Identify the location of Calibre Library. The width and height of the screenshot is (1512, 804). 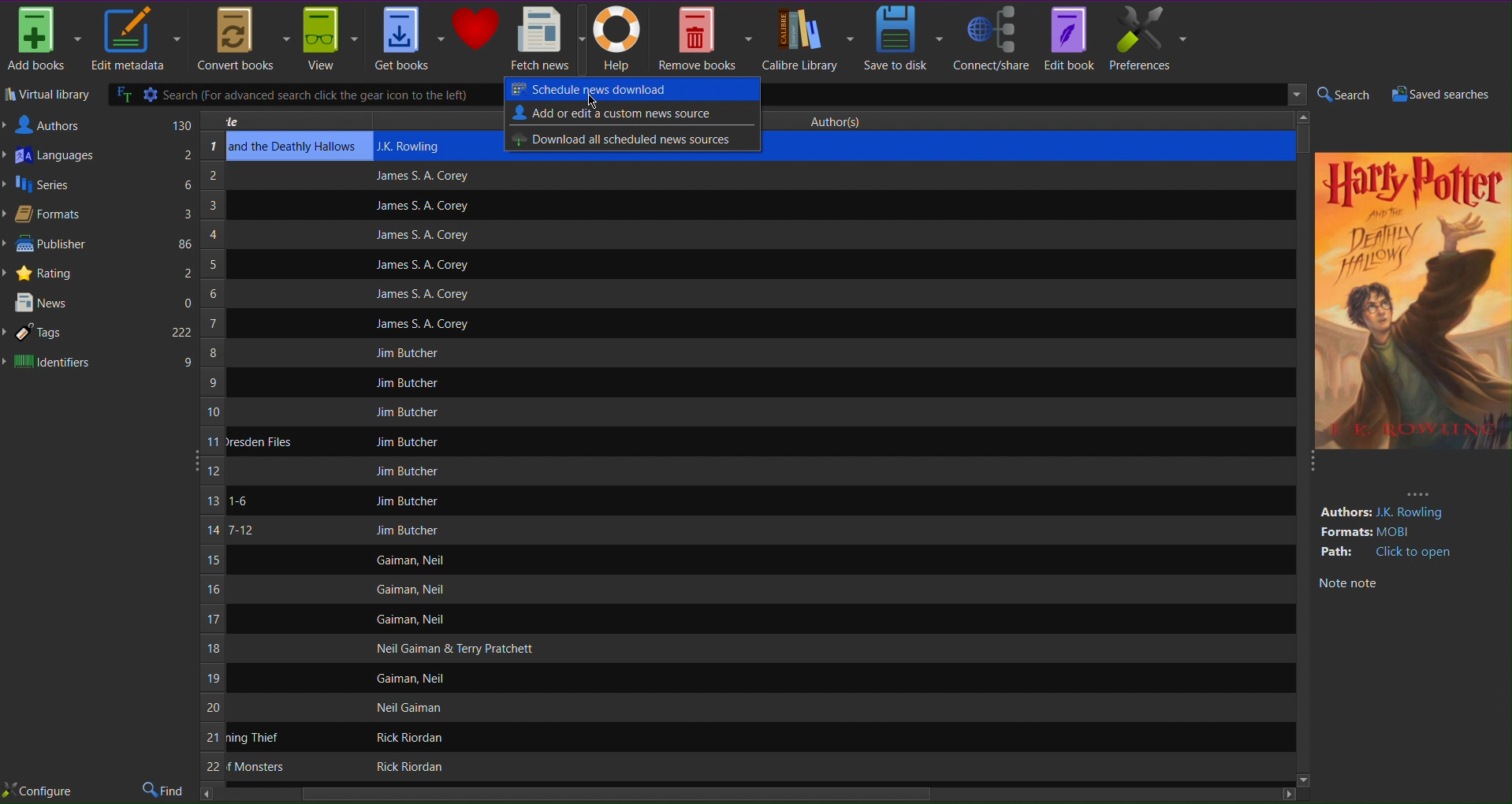
(807, 38).